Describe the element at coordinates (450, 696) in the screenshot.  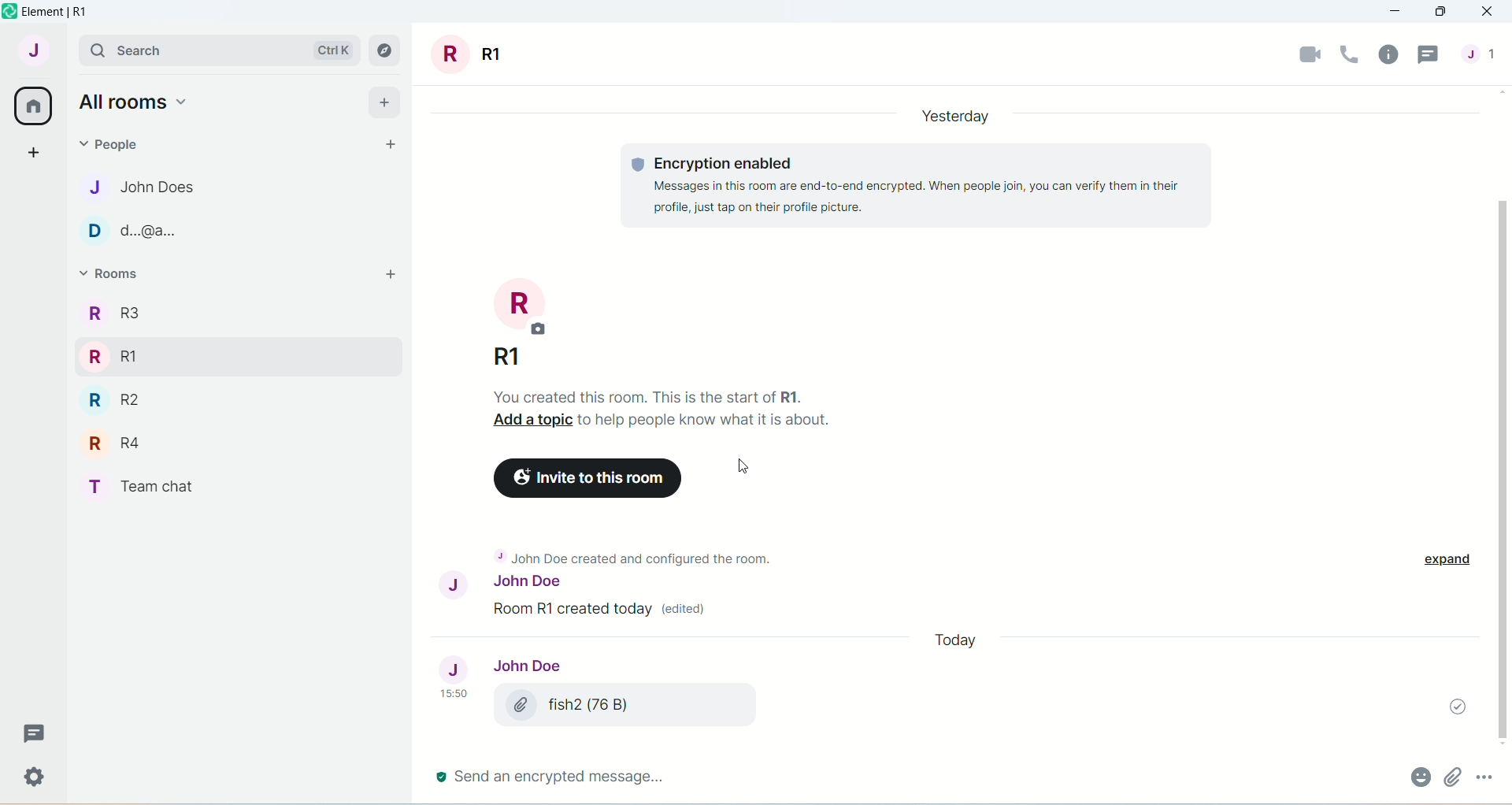
I see `15.50` at that location.